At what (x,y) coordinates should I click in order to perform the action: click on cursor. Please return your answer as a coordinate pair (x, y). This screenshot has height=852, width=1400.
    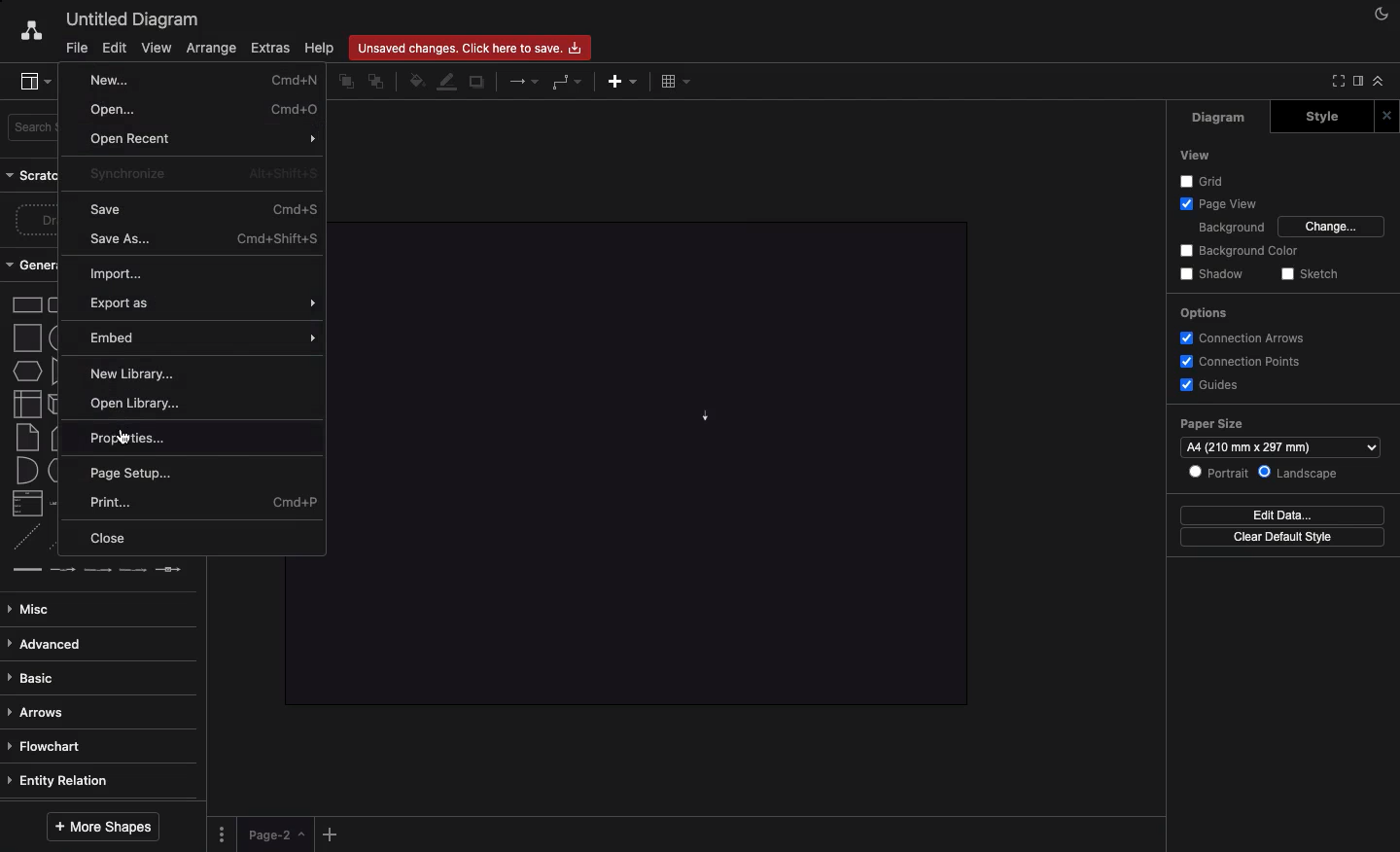
    Looking at the image, I should click on (123, 439).